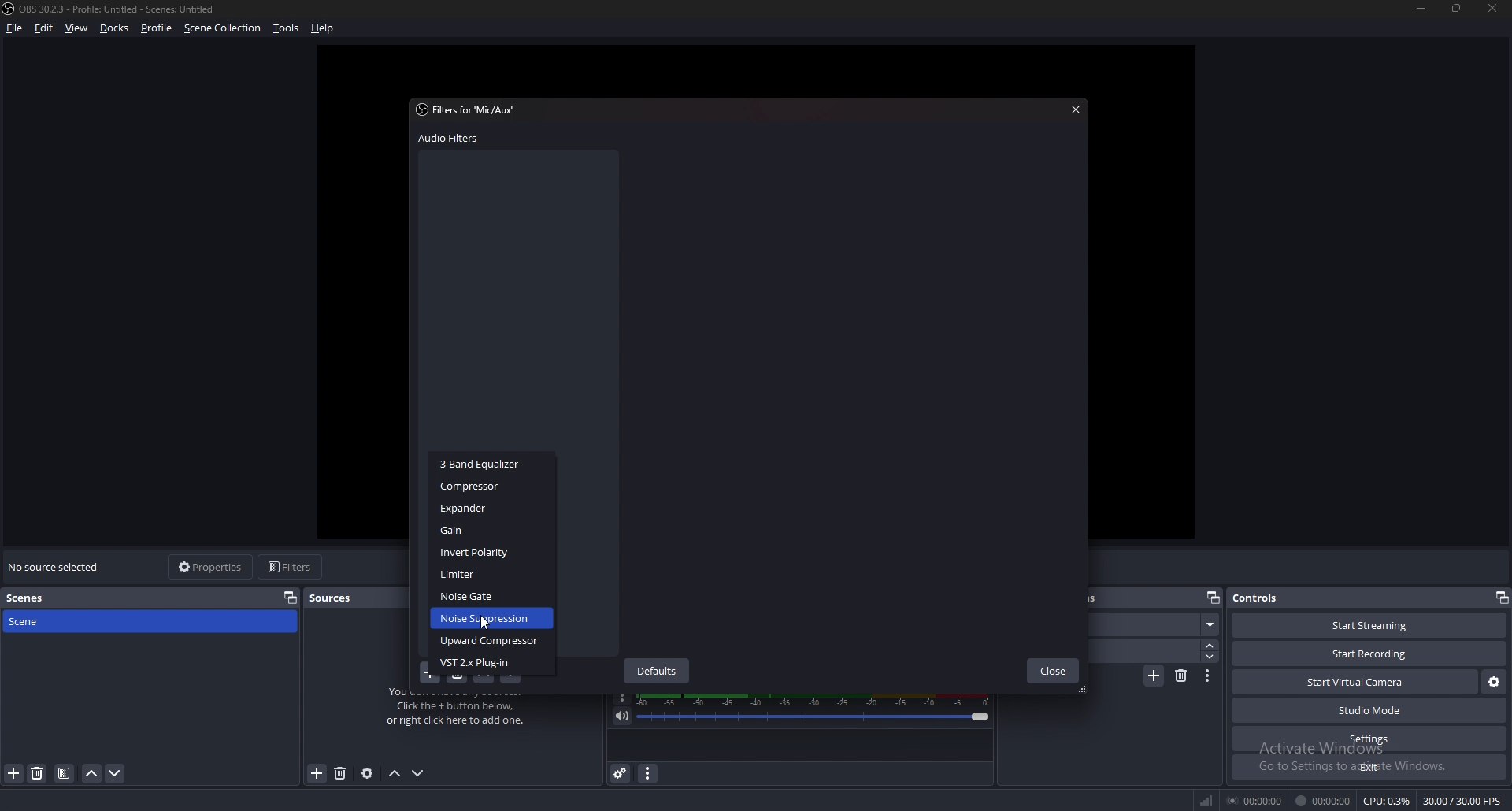  What do you see at coordinates (91, 774) in the screenshot?
I see `move scene up` at bounding box center [91, 774].